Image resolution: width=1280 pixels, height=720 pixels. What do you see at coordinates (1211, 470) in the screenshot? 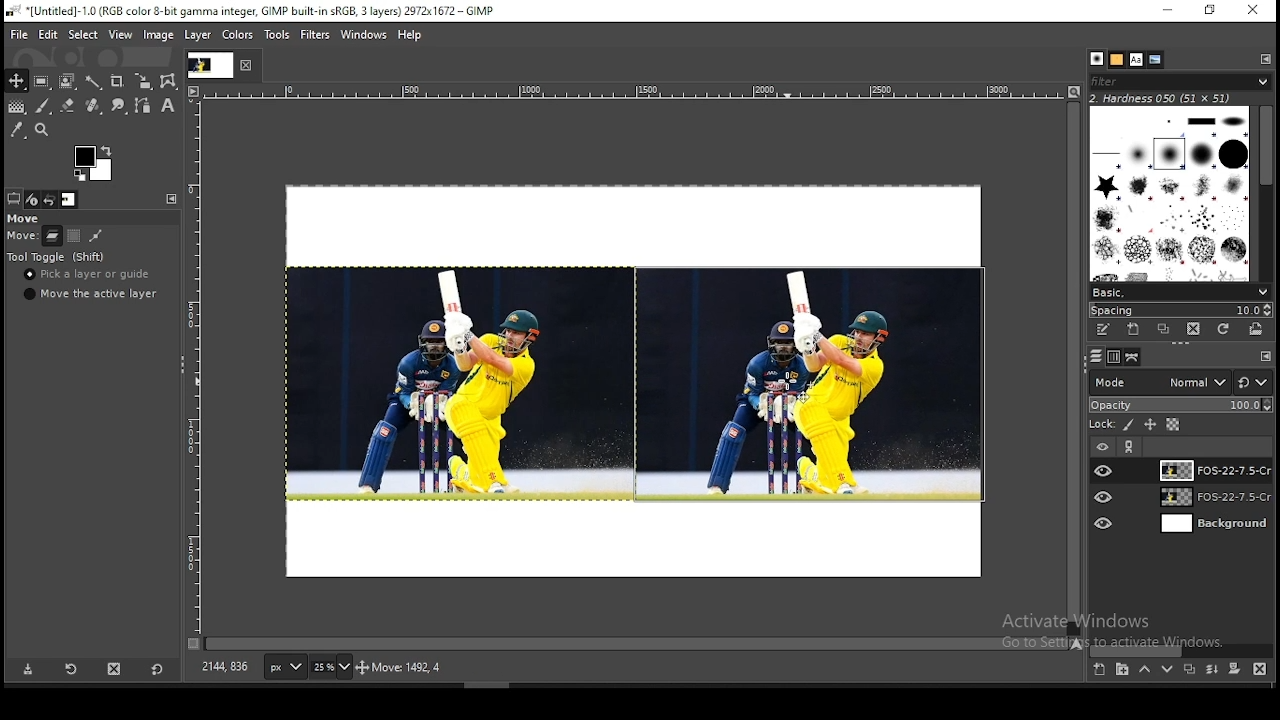
I see `layer ` at bounding box center [1211, 470].